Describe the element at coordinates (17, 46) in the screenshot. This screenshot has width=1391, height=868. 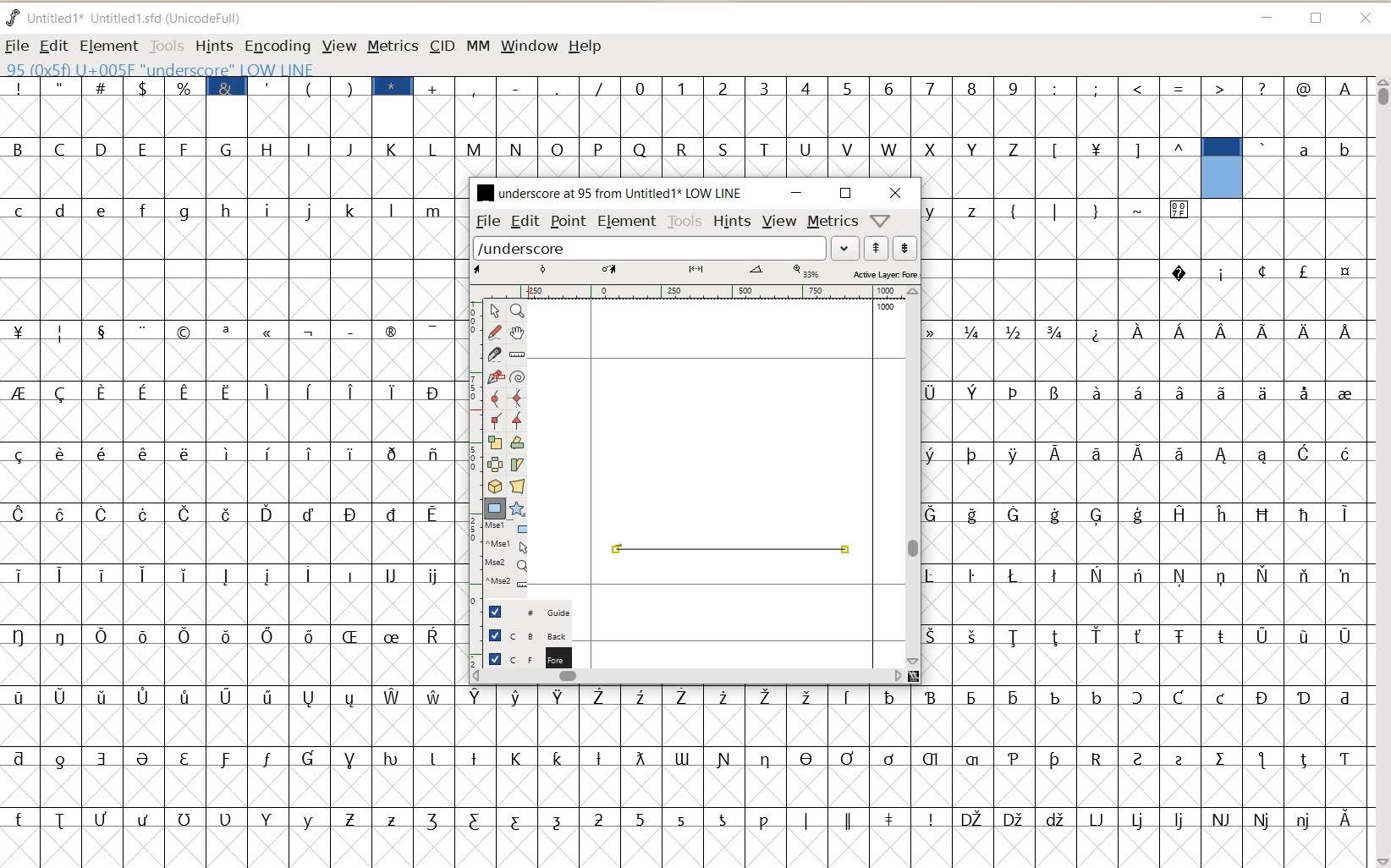
I see `FILE` at that location.